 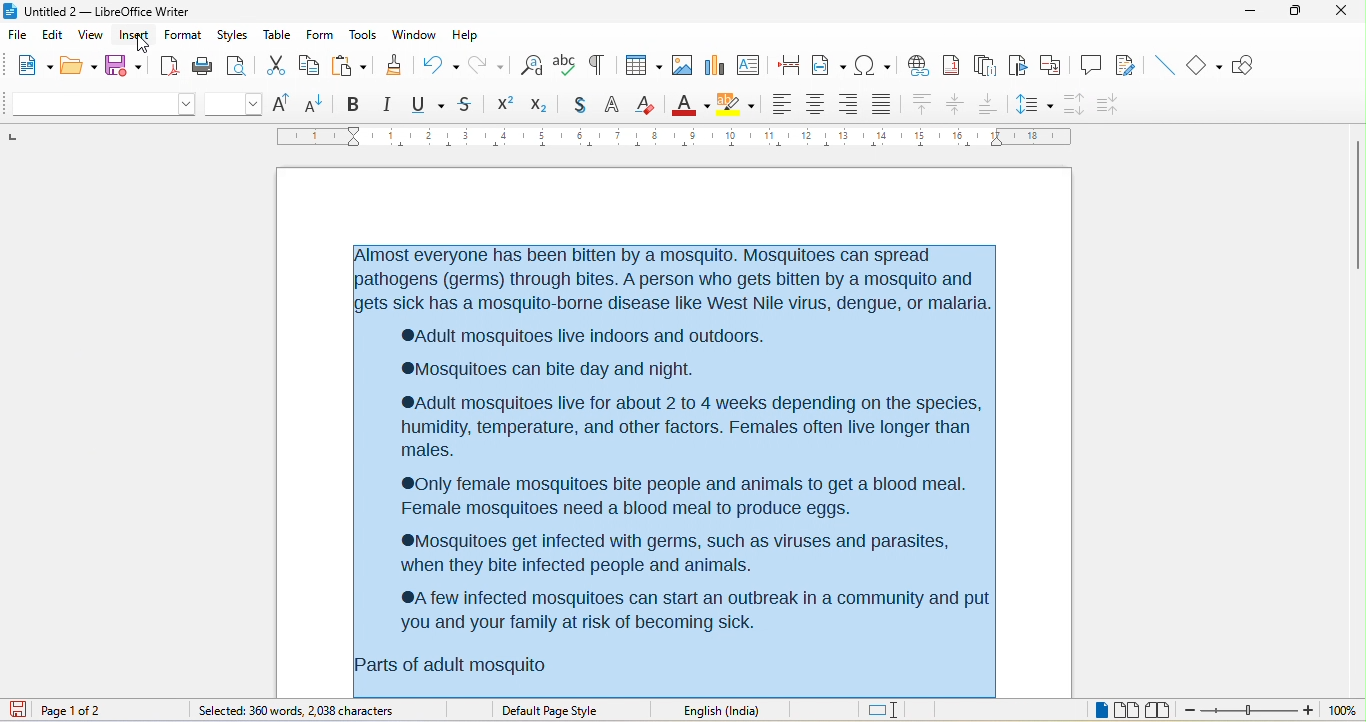 I want to click on justified, so click(x=881, y=105).